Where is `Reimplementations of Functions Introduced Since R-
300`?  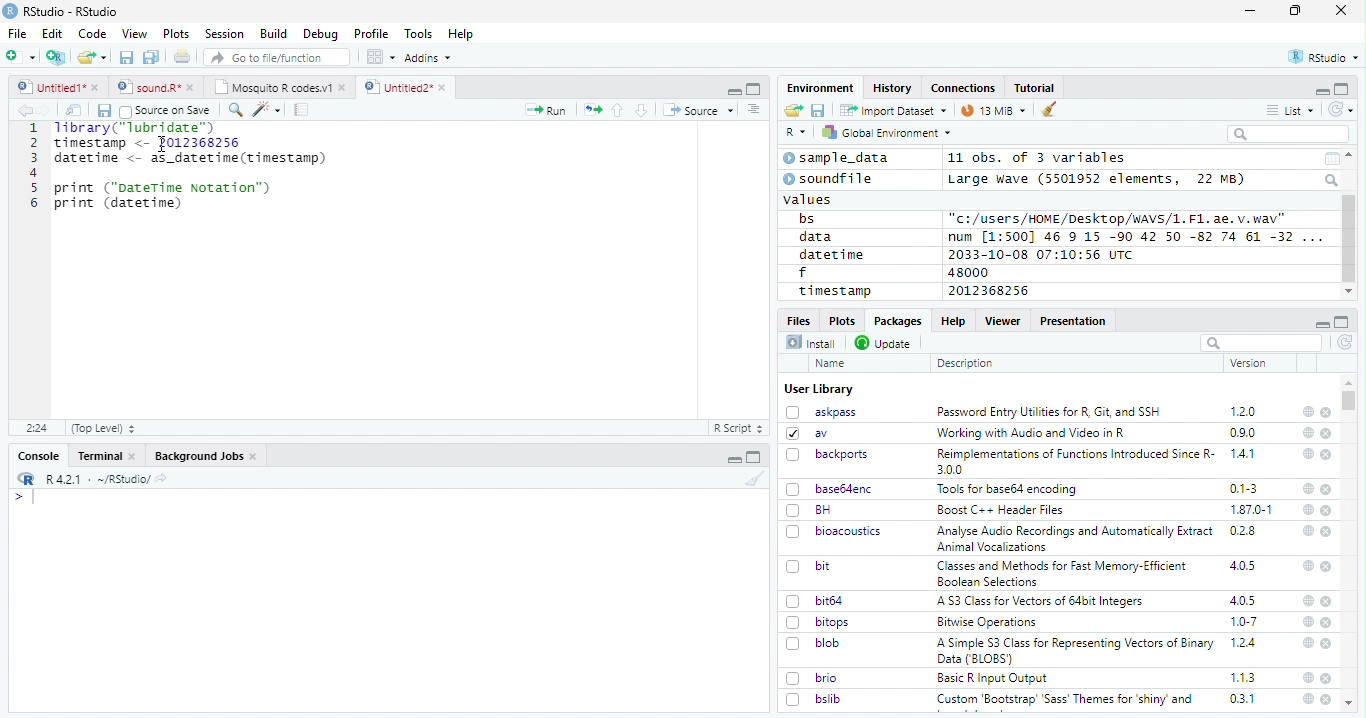
Reimplementations of Functions Introduced Since R-
300 is located at coordinates (1074, 461).